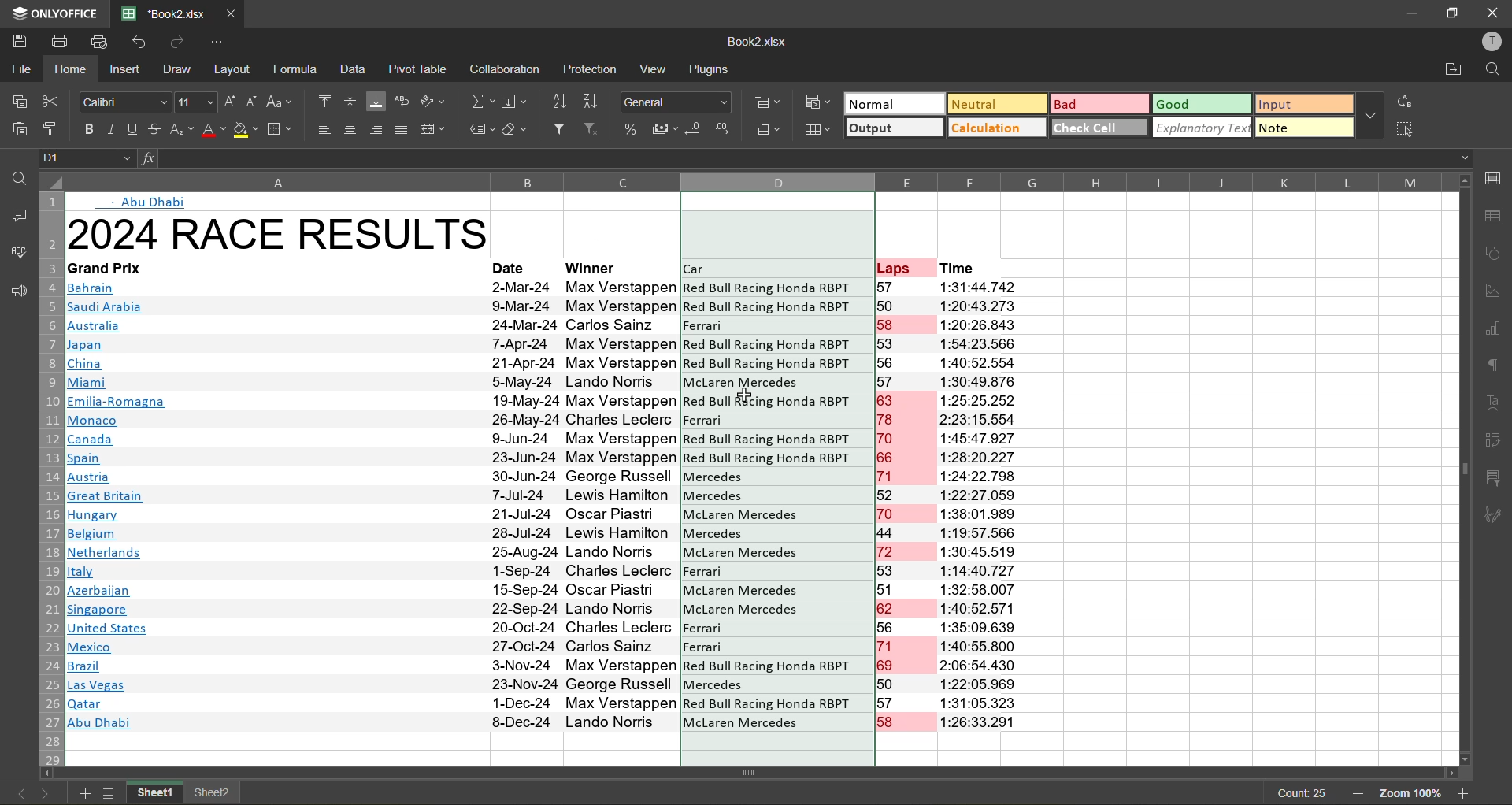  I want to click on Grand Frix, so click(113, 269).